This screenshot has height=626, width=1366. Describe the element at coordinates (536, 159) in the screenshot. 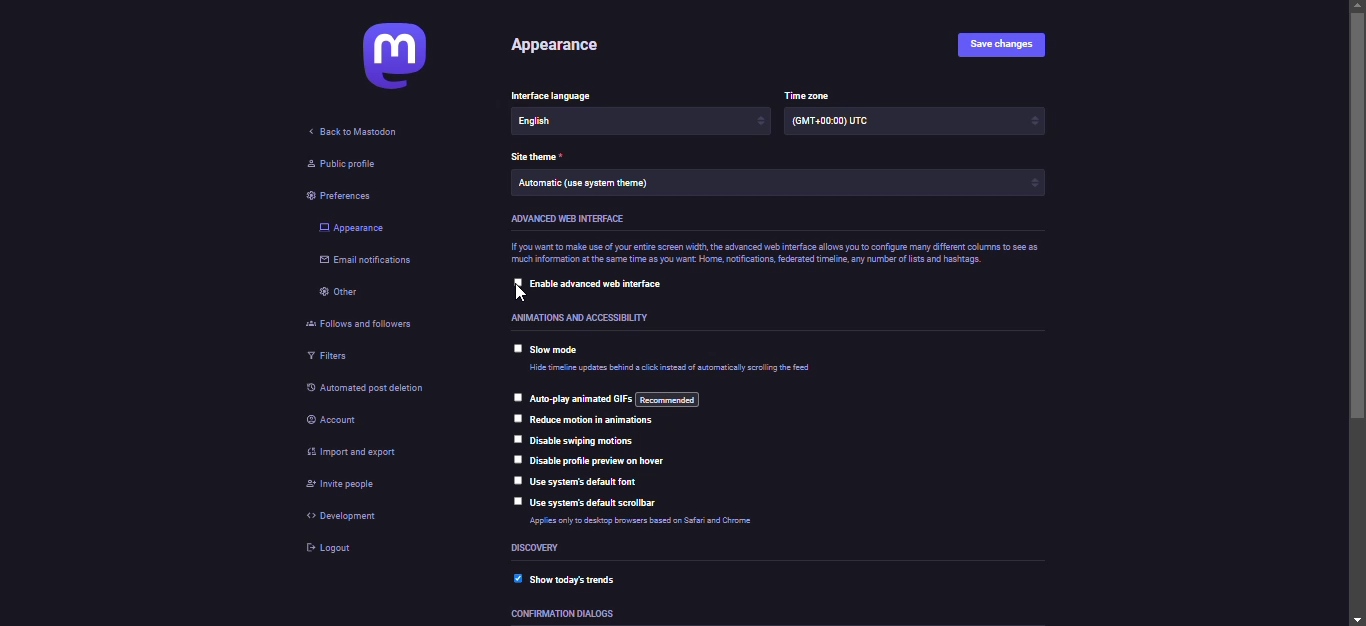

I see `theme` at that location.